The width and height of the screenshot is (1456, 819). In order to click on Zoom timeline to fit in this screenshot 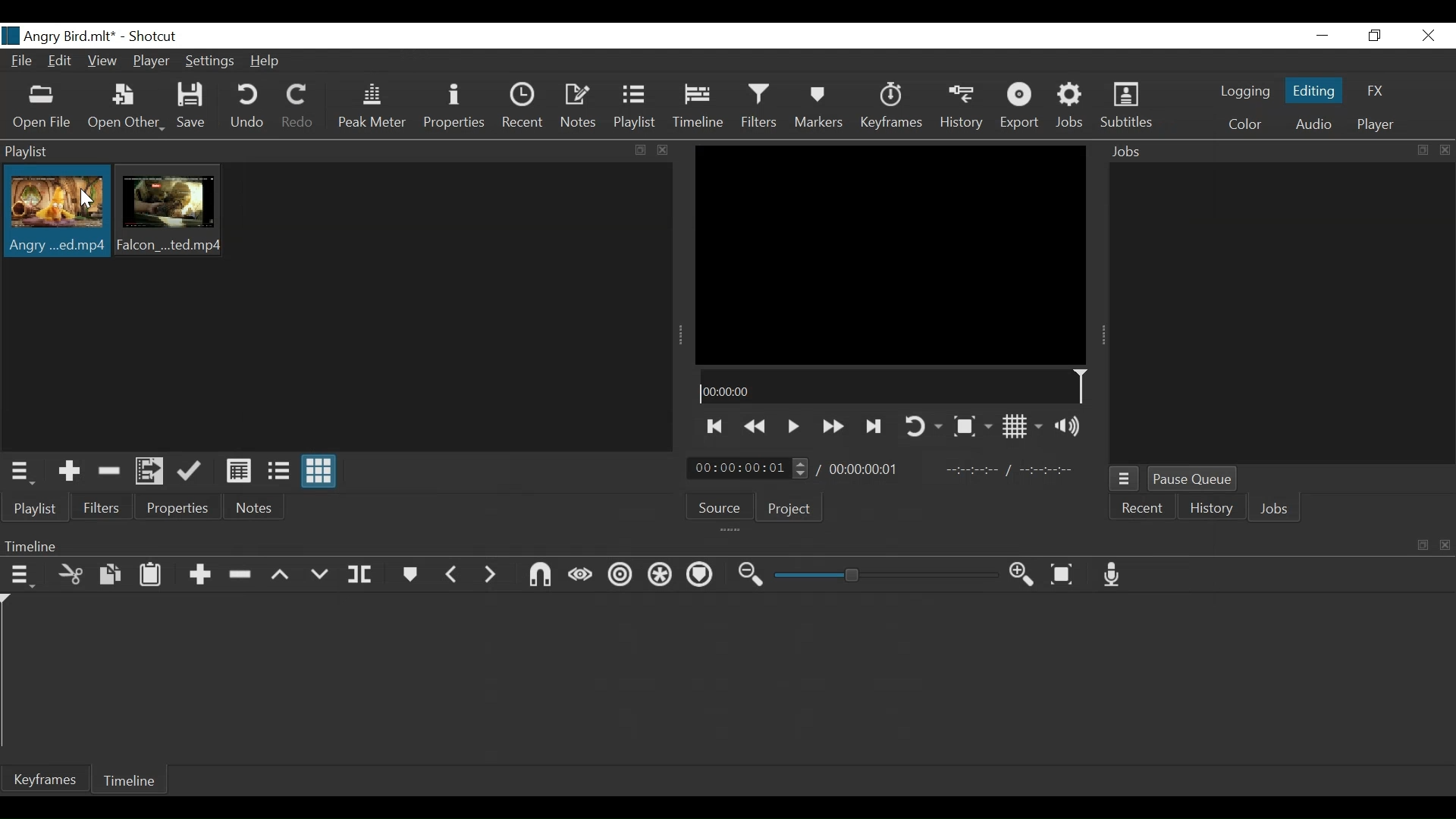, I will do `click(1063, 574)`.